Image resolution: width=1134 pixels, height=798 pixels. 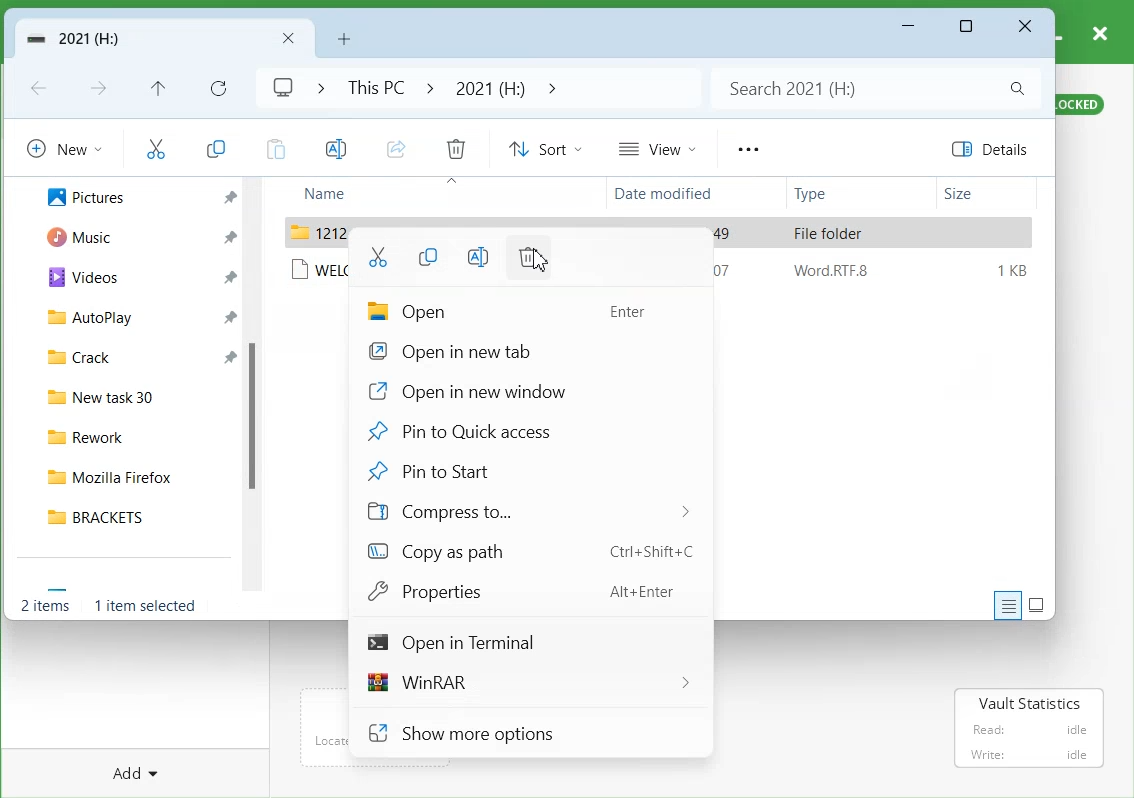 I want to click on Music, so click(x=77, y=238).